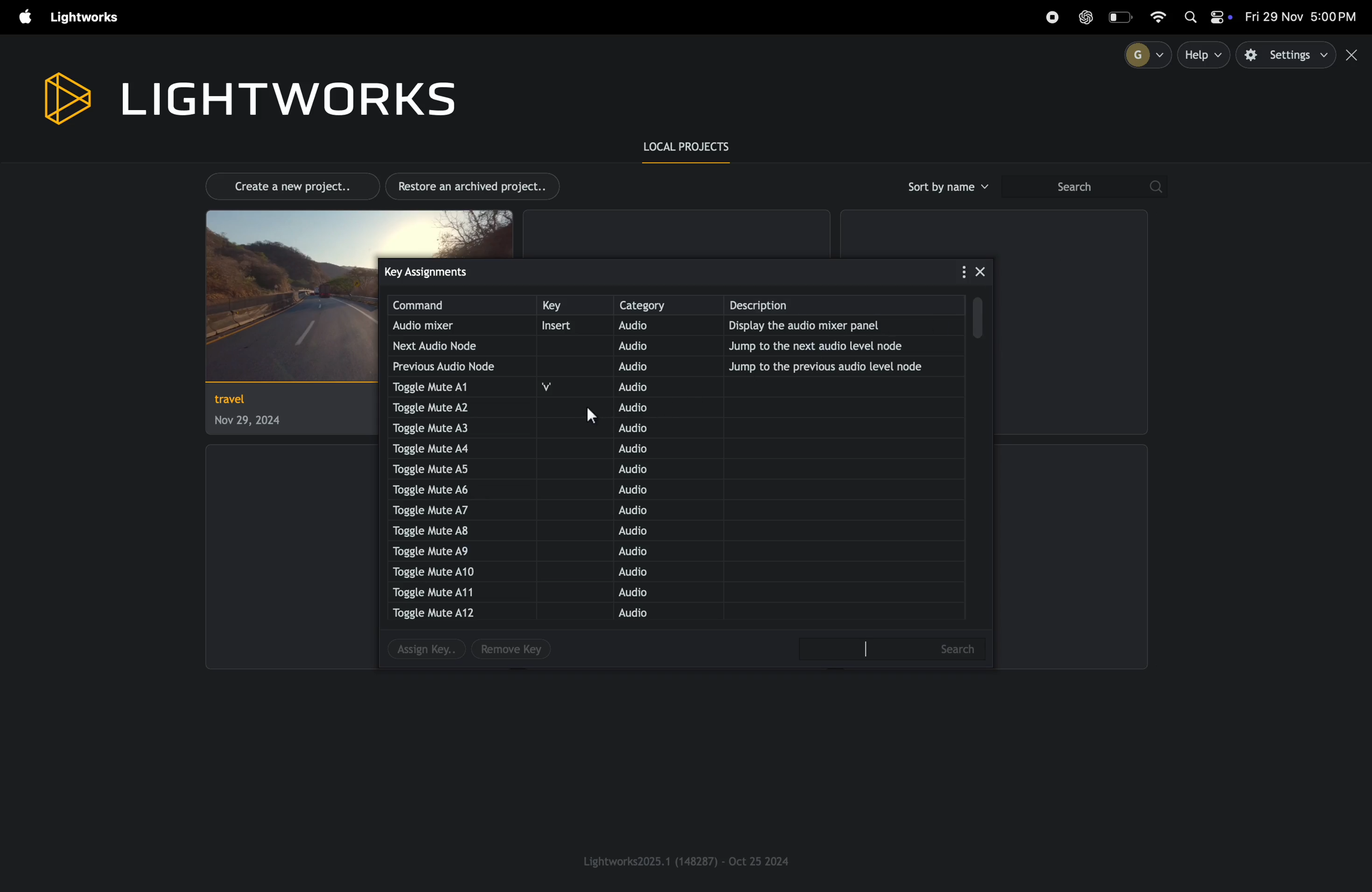 The height and width of the screenshot is (892, 1372). Describe the element at coordinates (648, 428) in the screenshot. I see `audio` at that location.